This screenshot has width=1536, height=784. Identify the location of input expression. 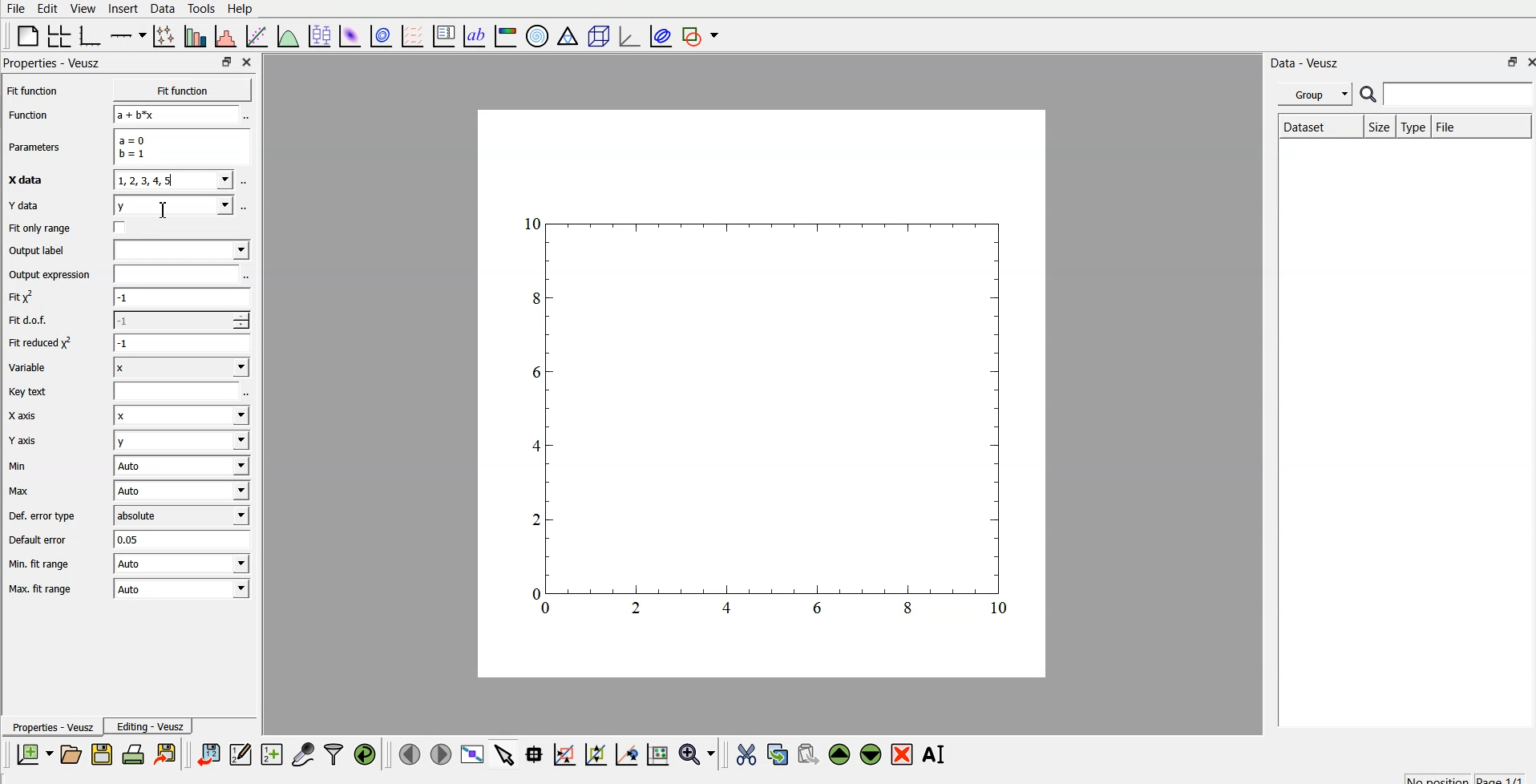
(182, 275).